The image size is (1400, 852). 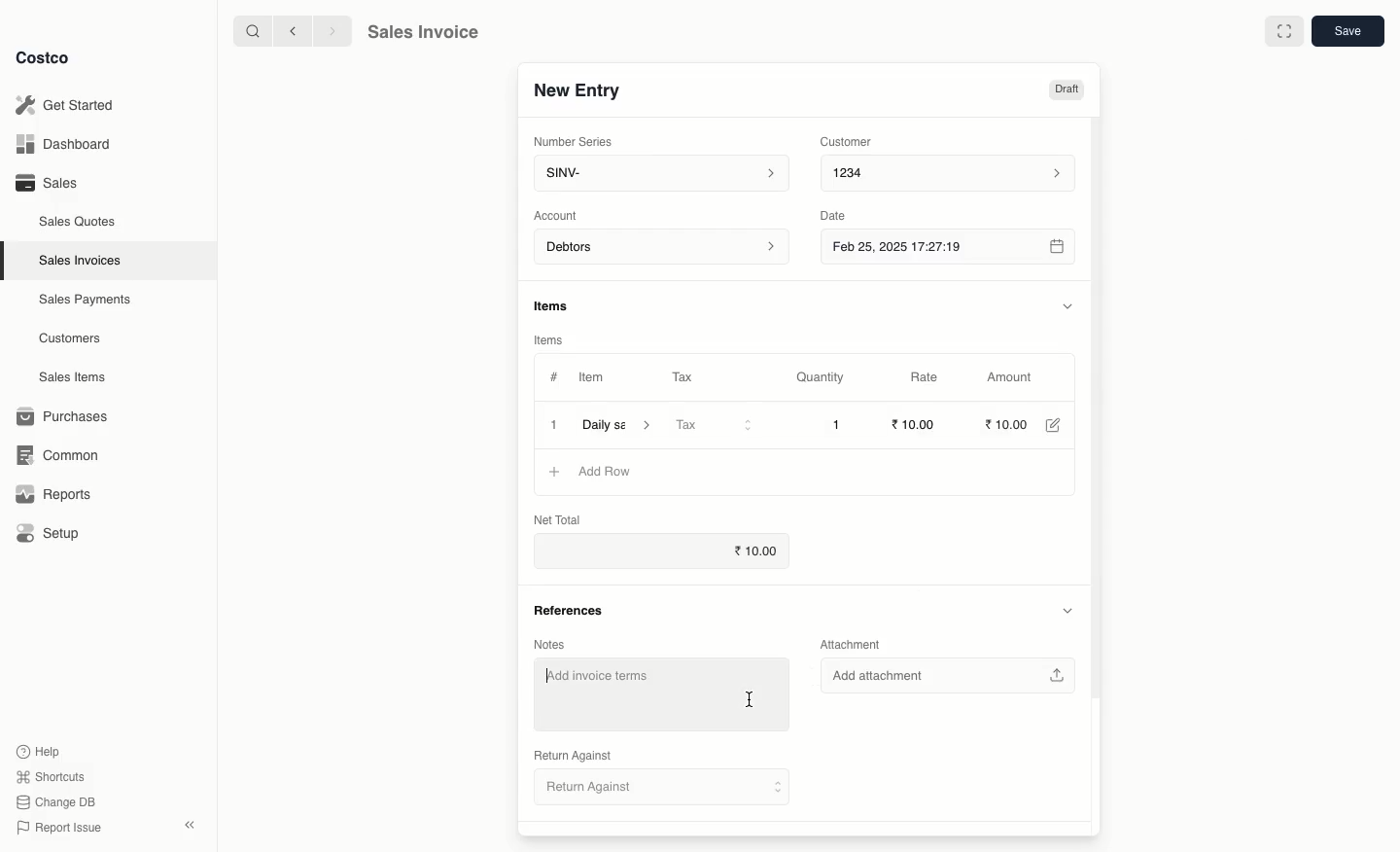 I want to click on 1 Purchases, so click(x=67, y=417).